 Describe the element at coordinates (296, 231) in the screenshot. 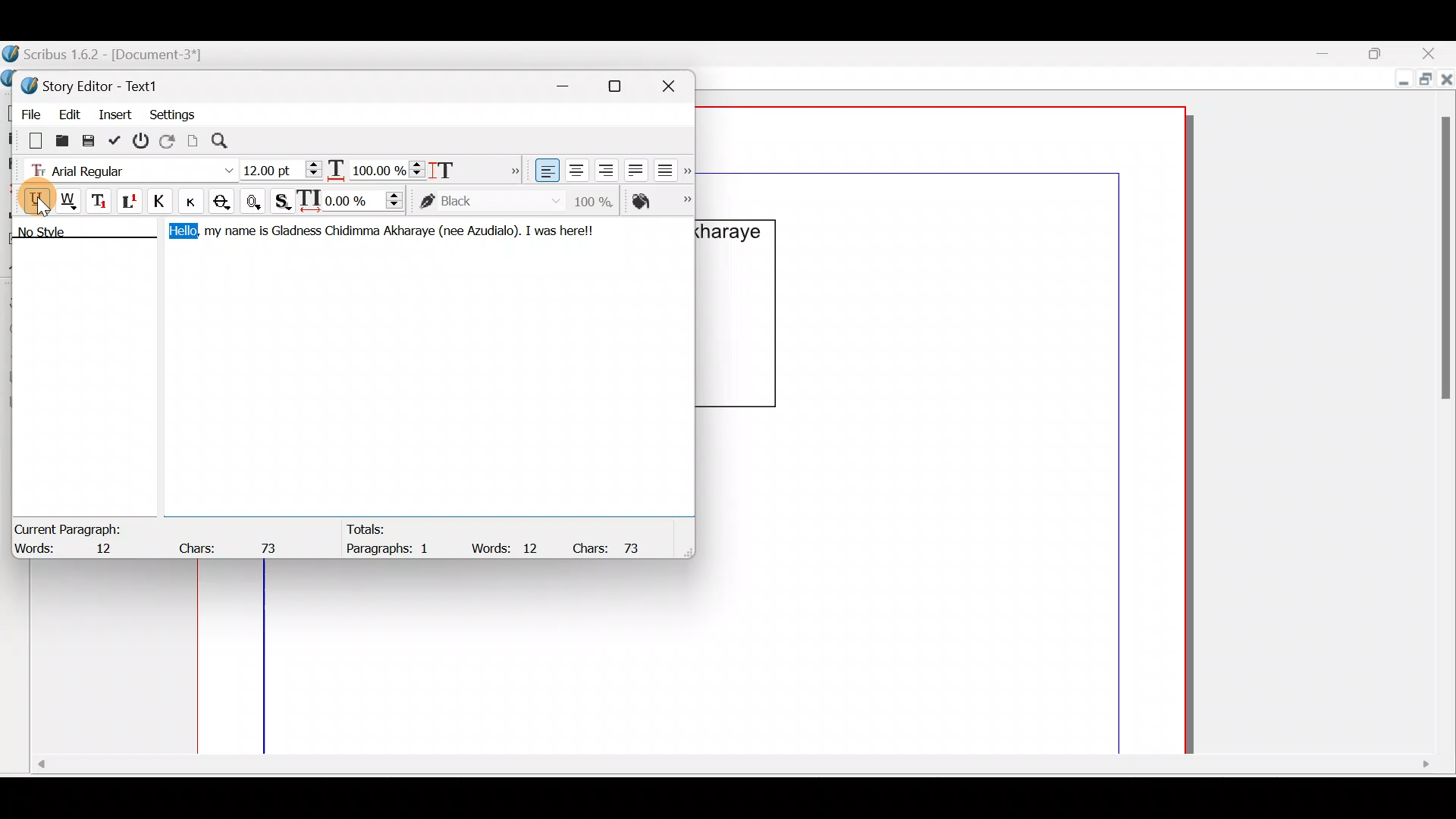

I see `Gladness` at that location.